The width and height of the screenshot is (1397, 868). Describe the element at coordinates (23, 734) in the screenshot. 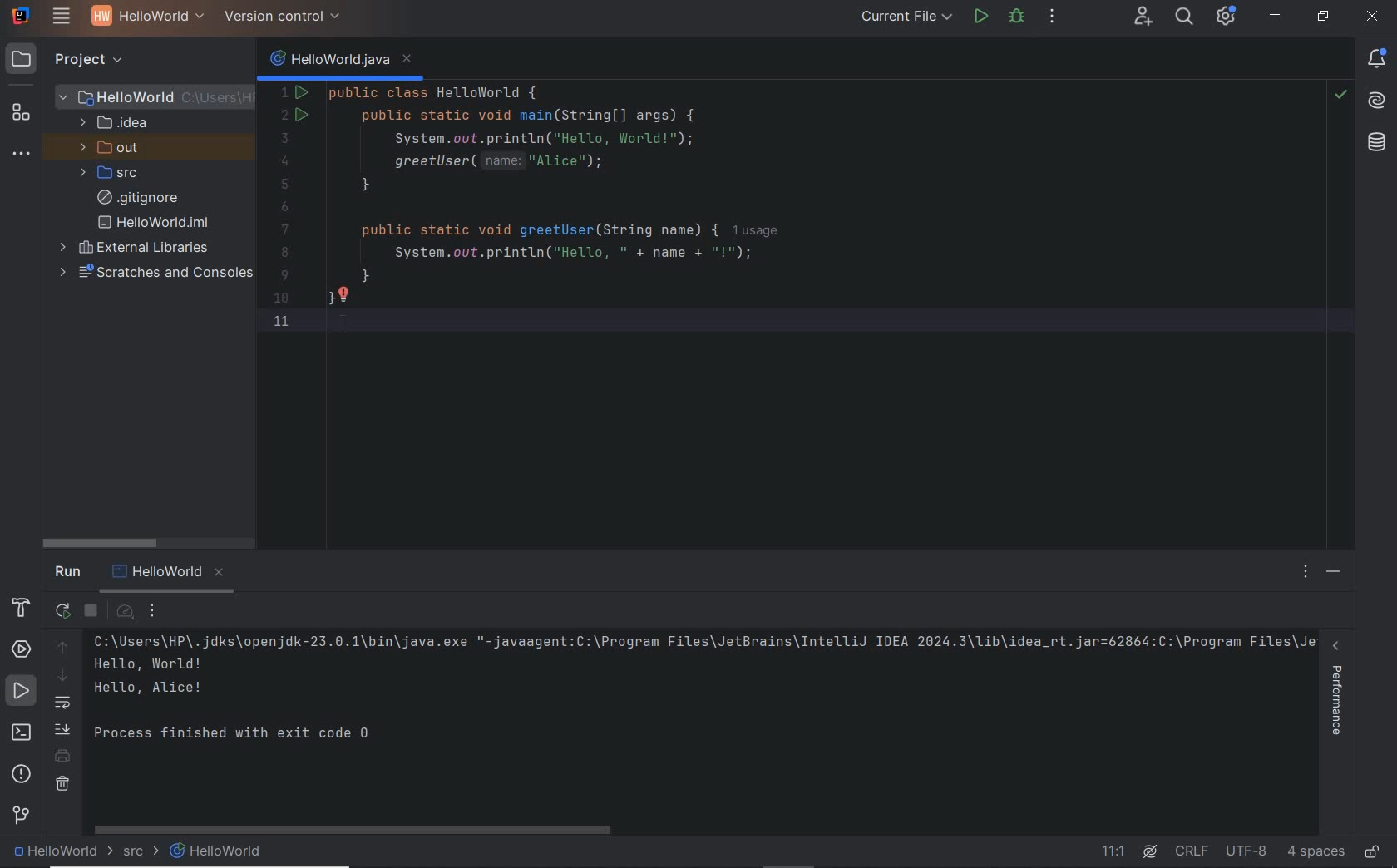

I see `terminal` at that location.